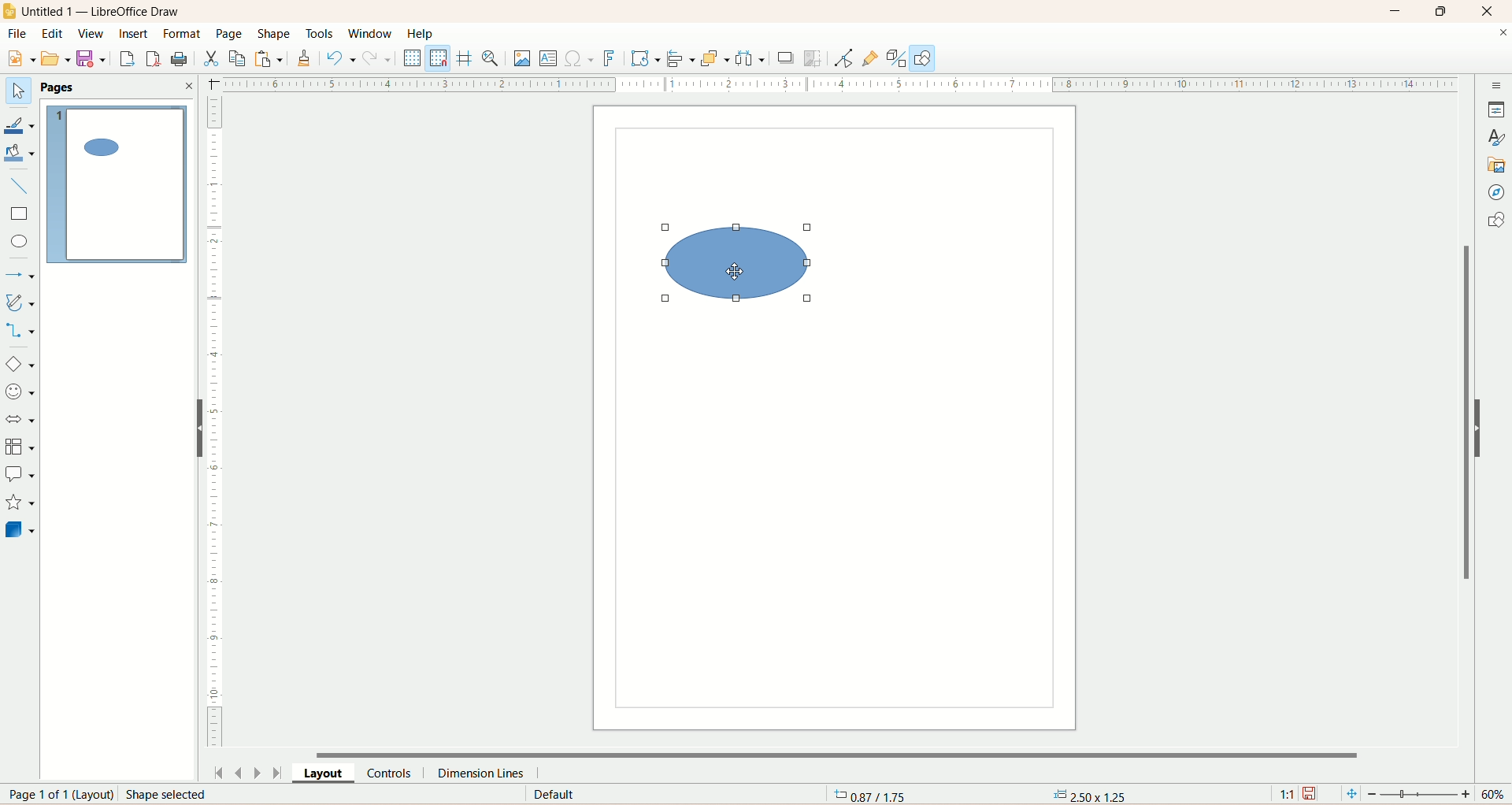 This screenshot has height=805, width=1512. Describe the element at coordinates (679, 61) in the screenshot. I see `allign` at that location.